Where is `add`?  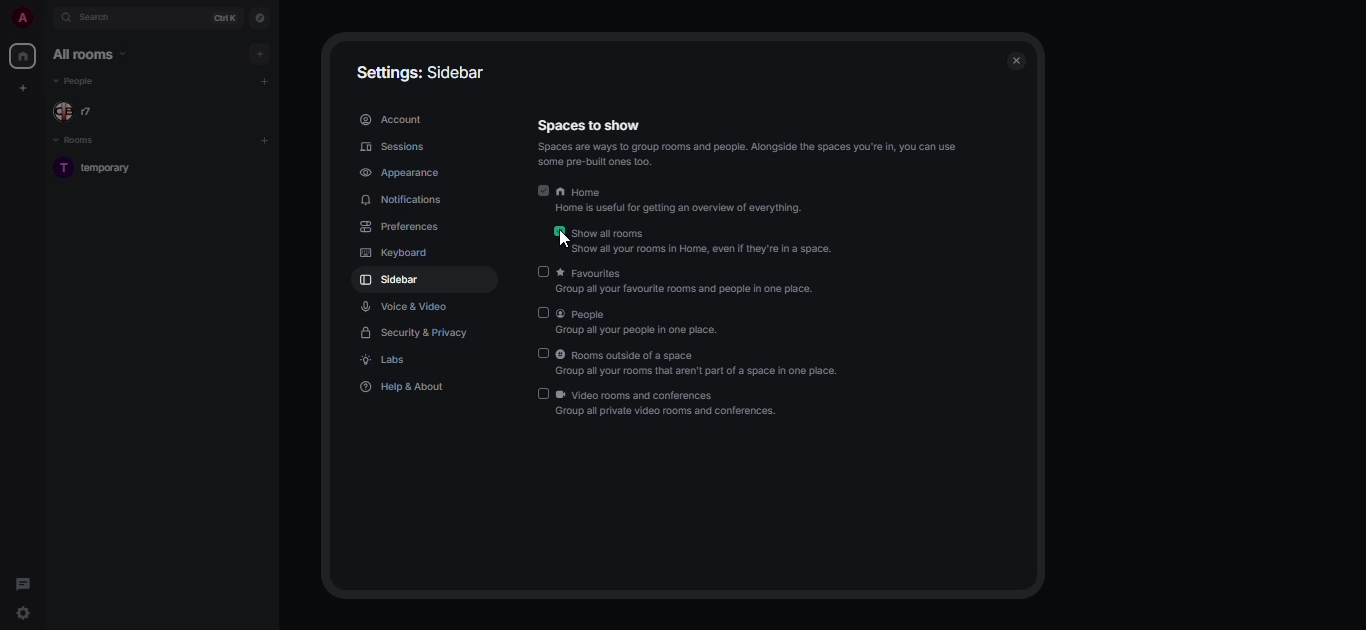 add is located at coordinates (266, 81).